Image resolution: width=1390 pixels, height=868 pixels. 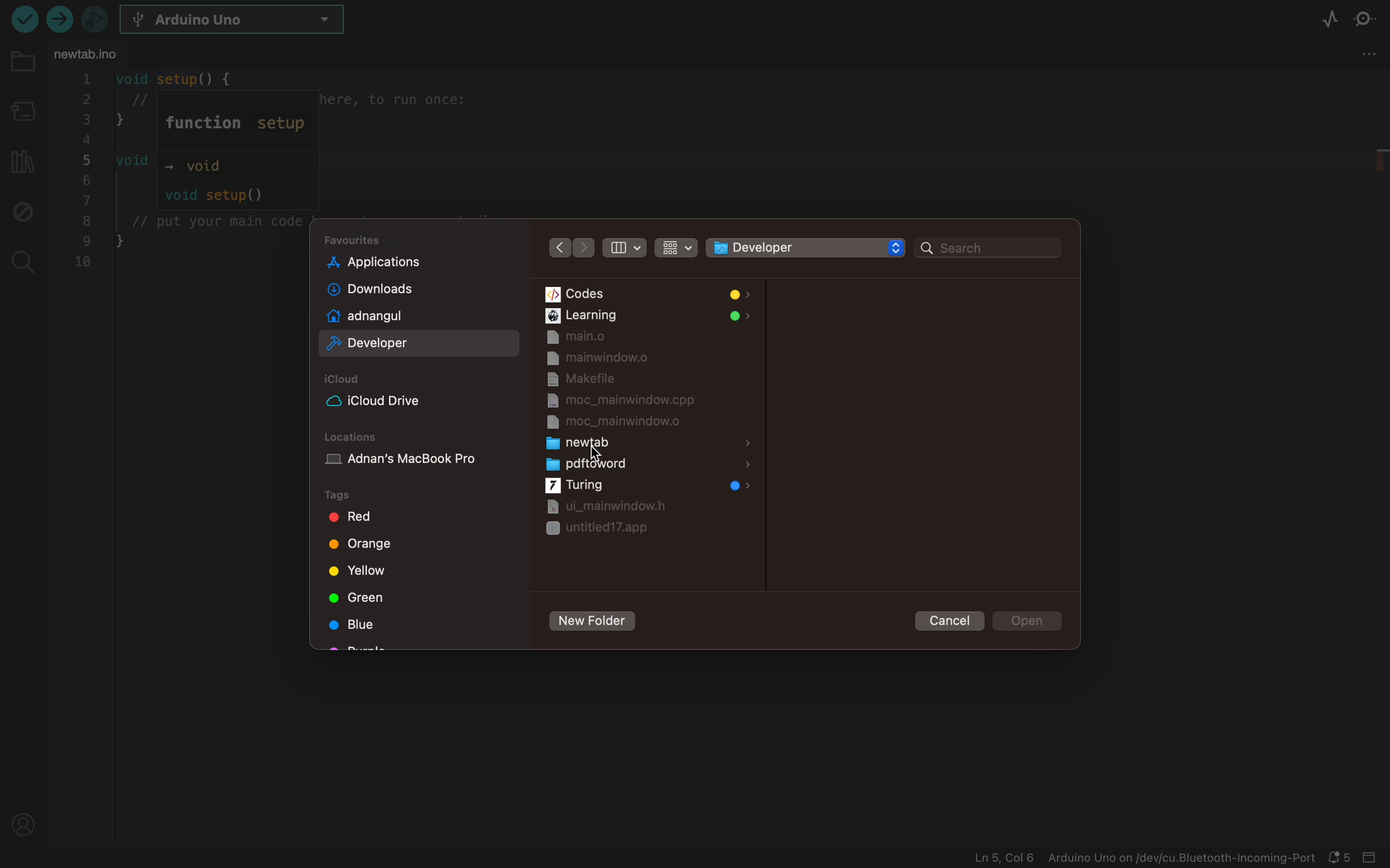 I want to click on pdftoword, so click(x=646, y=465).